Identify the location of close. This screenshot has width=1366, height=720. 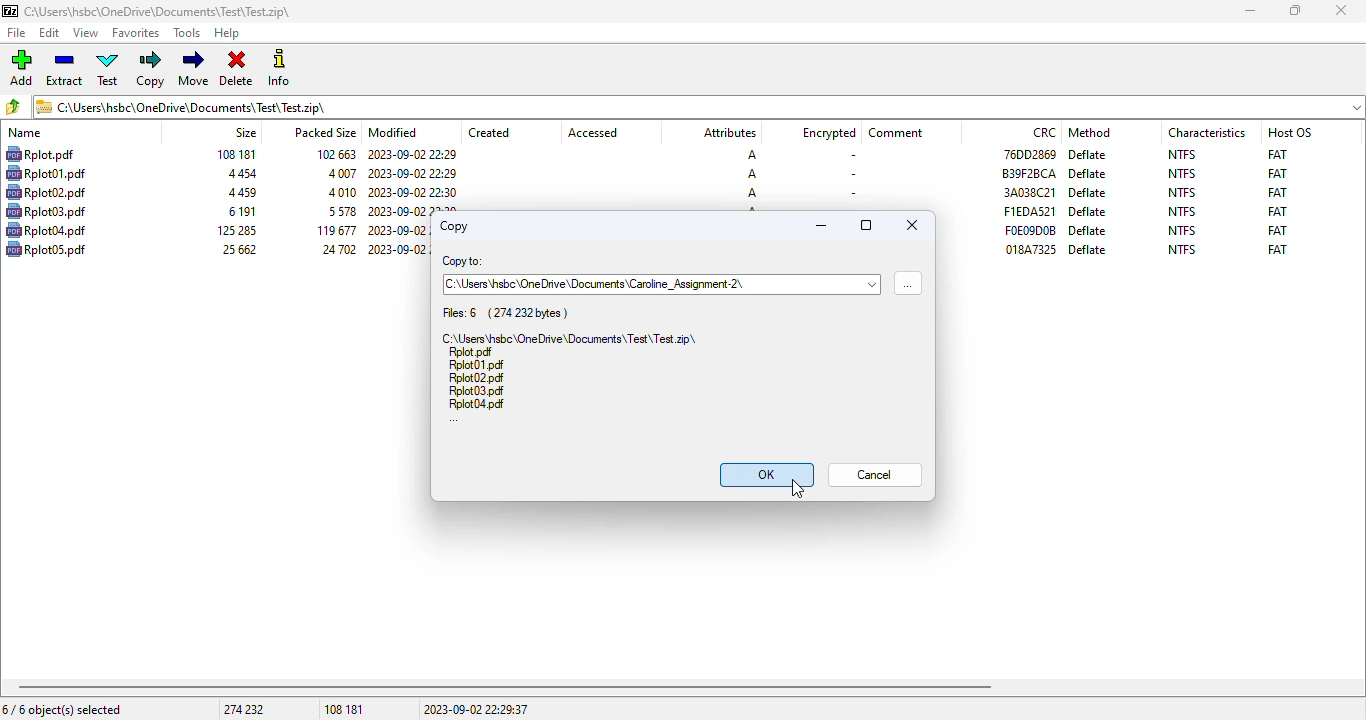
(1340, 10).